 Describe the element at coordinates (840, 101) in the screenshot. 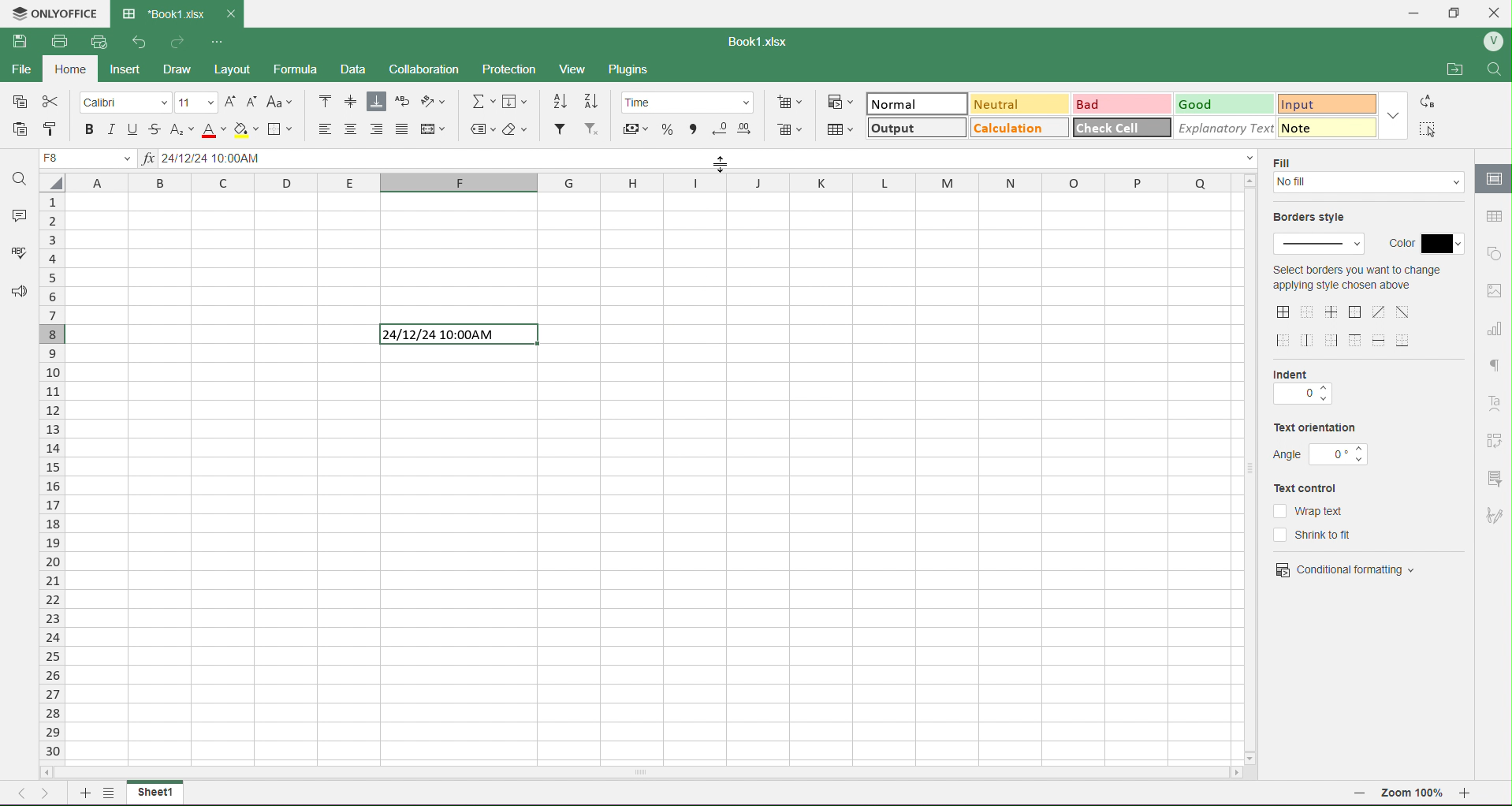

I see `Conditional Formating` at that location.